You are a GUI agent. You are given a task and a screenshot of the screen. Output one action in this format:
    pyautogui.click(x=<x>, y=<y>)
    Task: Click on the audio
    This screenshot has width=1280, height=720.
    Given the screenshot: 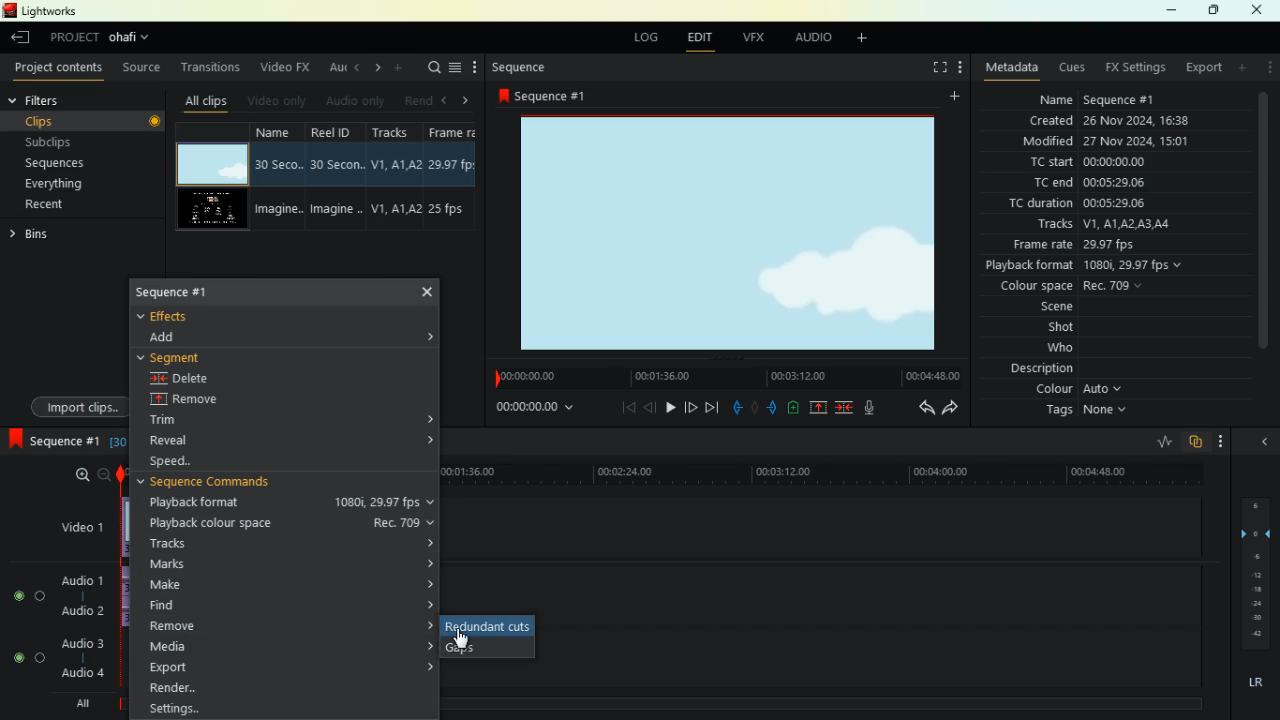 What is the action you would take?
    pyautogui.click(x=808, y=37)
    